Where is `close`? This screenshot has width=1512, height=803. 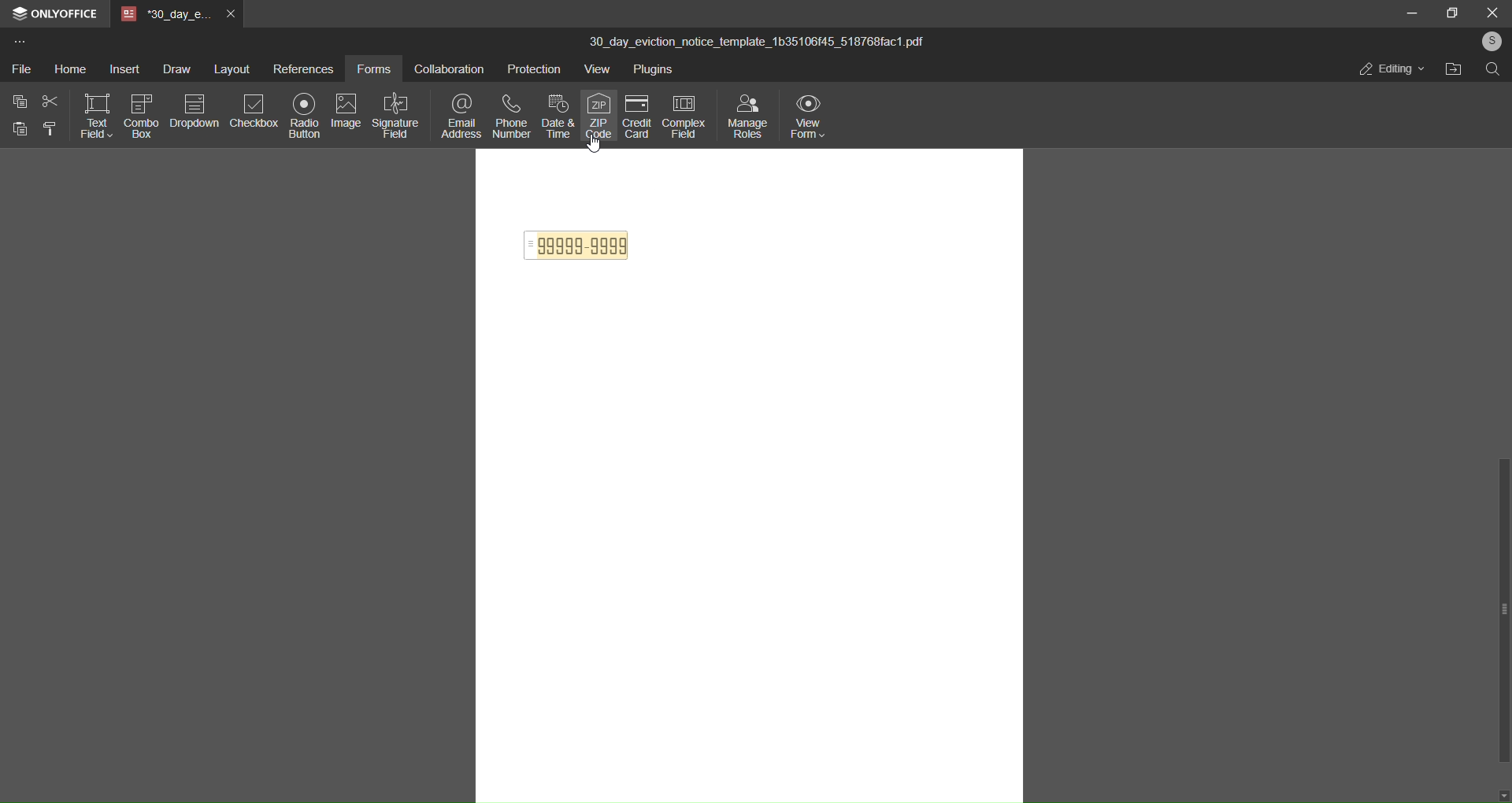 close is located at coordinates (1492, 13).